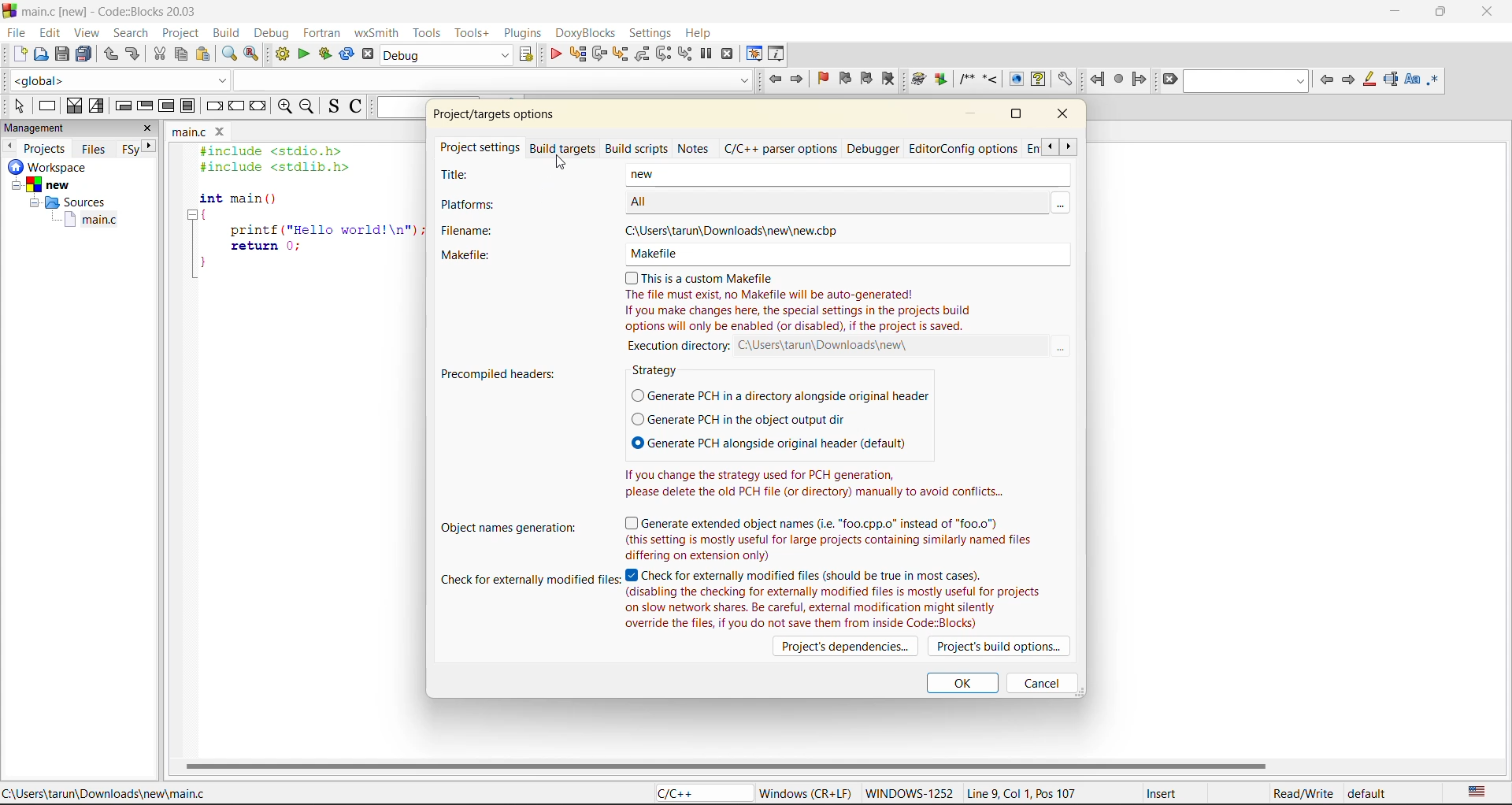  What do you see at coordinates (236, 107) in the screenshot?
I see `continue instruction` at bounding box center [236, 107].